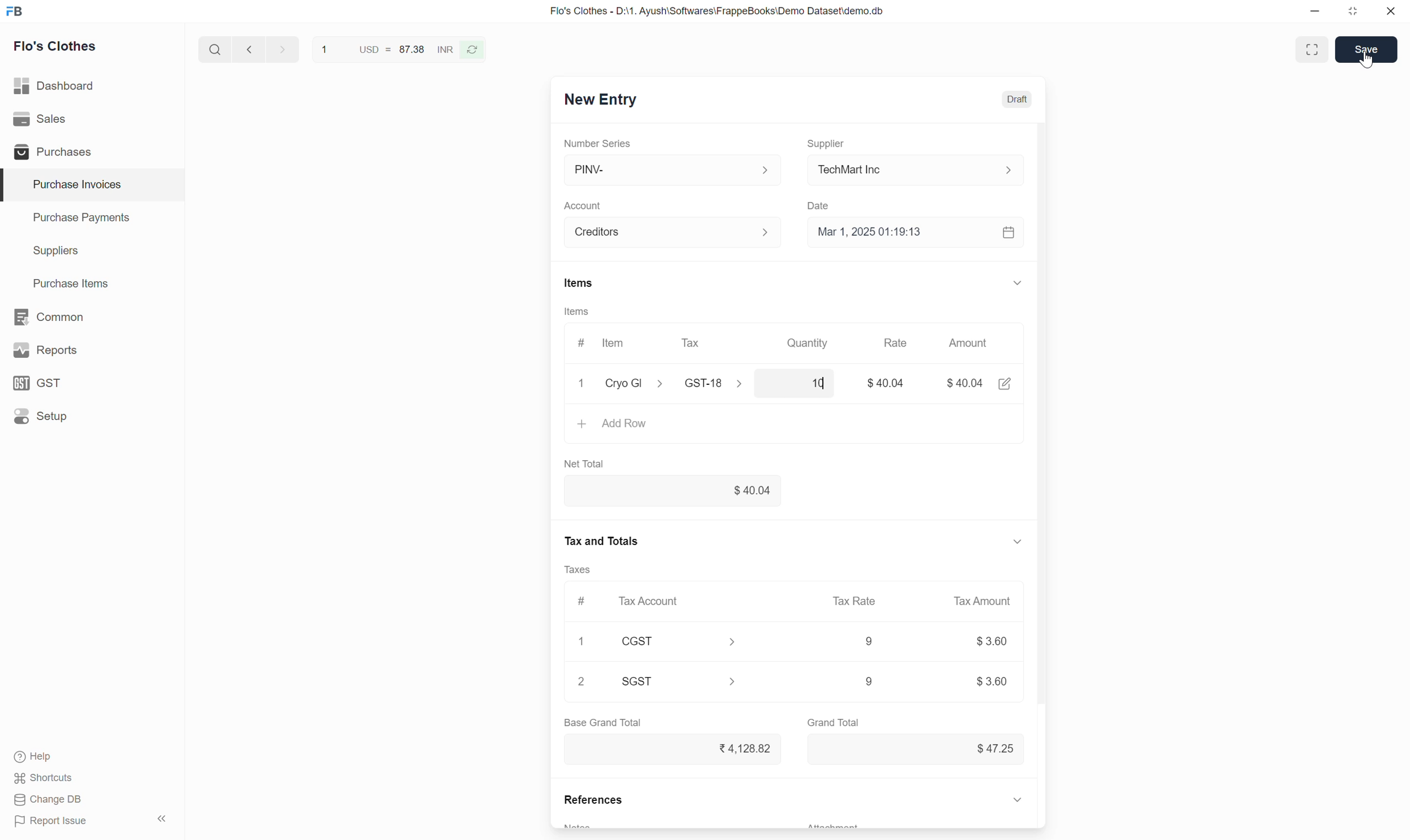  What do you see at coordinates (866, 642) in the screenshot?
I see `9` at bounding box center [866, 642].